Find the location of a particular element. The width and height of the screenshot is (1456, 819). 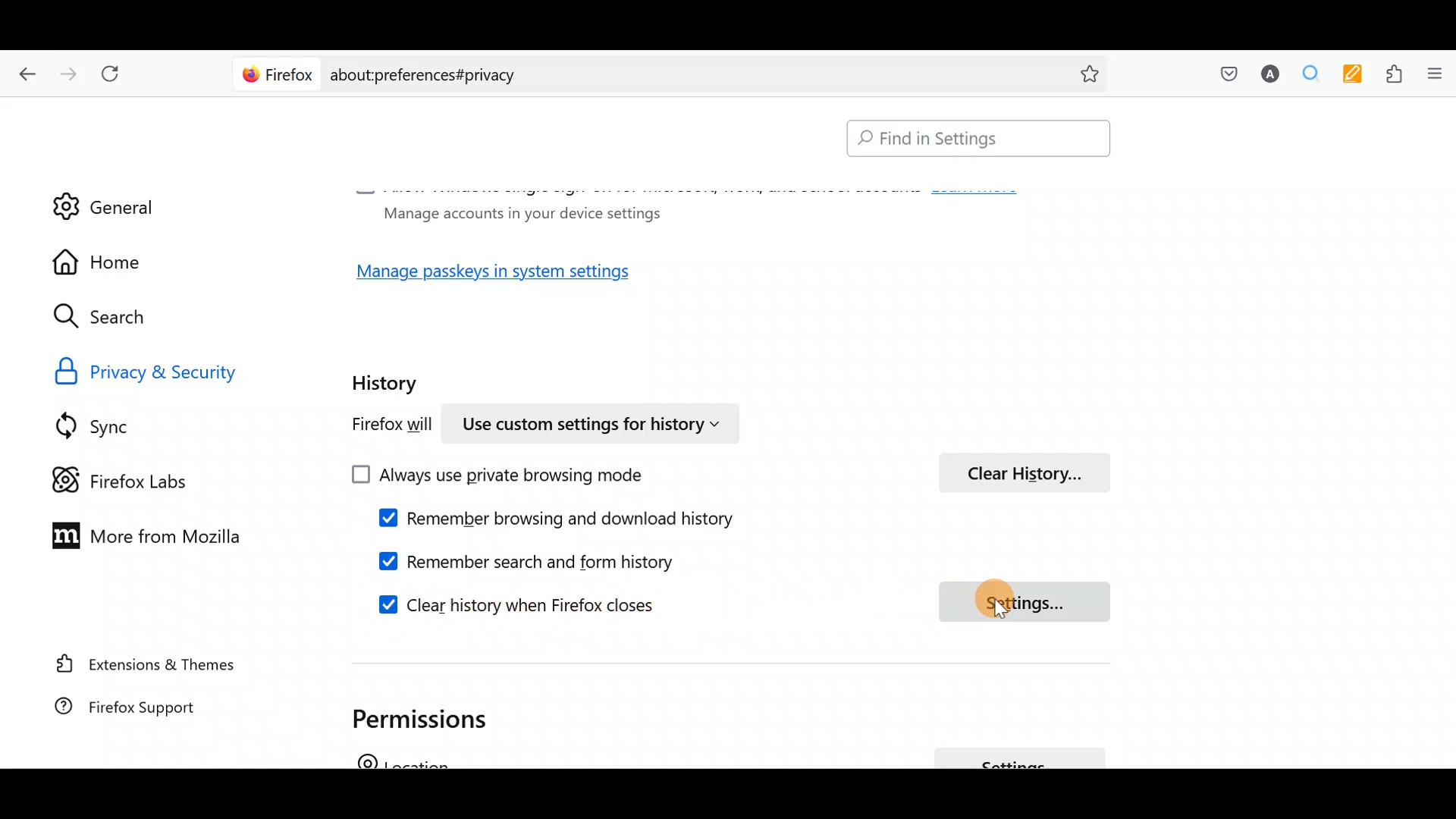

Multiple search & highlight is located at coordinates (1305, 75).